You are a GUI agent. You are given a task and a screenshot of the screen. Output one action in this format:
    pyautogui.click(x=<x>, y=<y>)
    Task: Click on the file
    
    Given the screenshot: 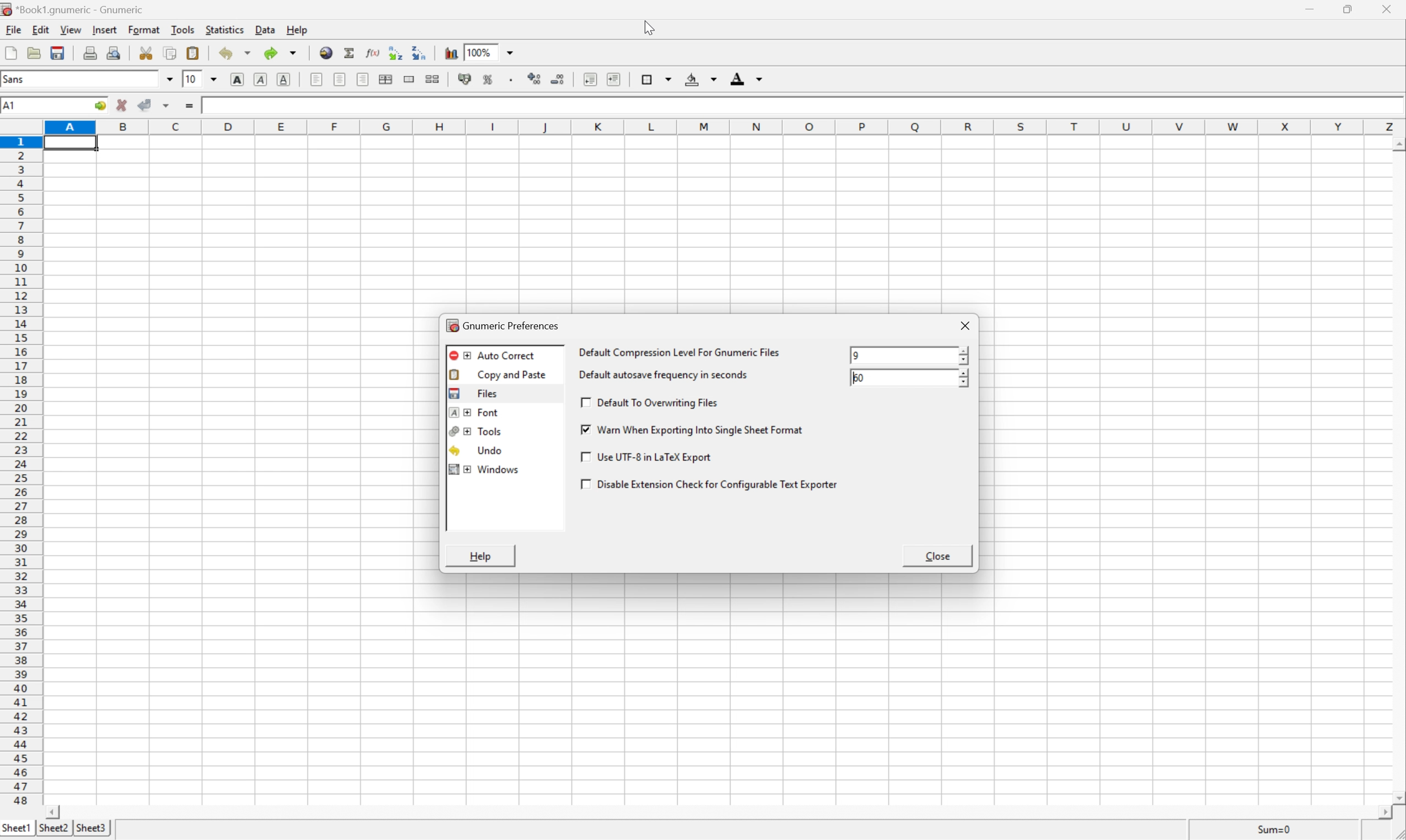 What is the action you would take?
    pyautogui.click(x=12, y=29)
    